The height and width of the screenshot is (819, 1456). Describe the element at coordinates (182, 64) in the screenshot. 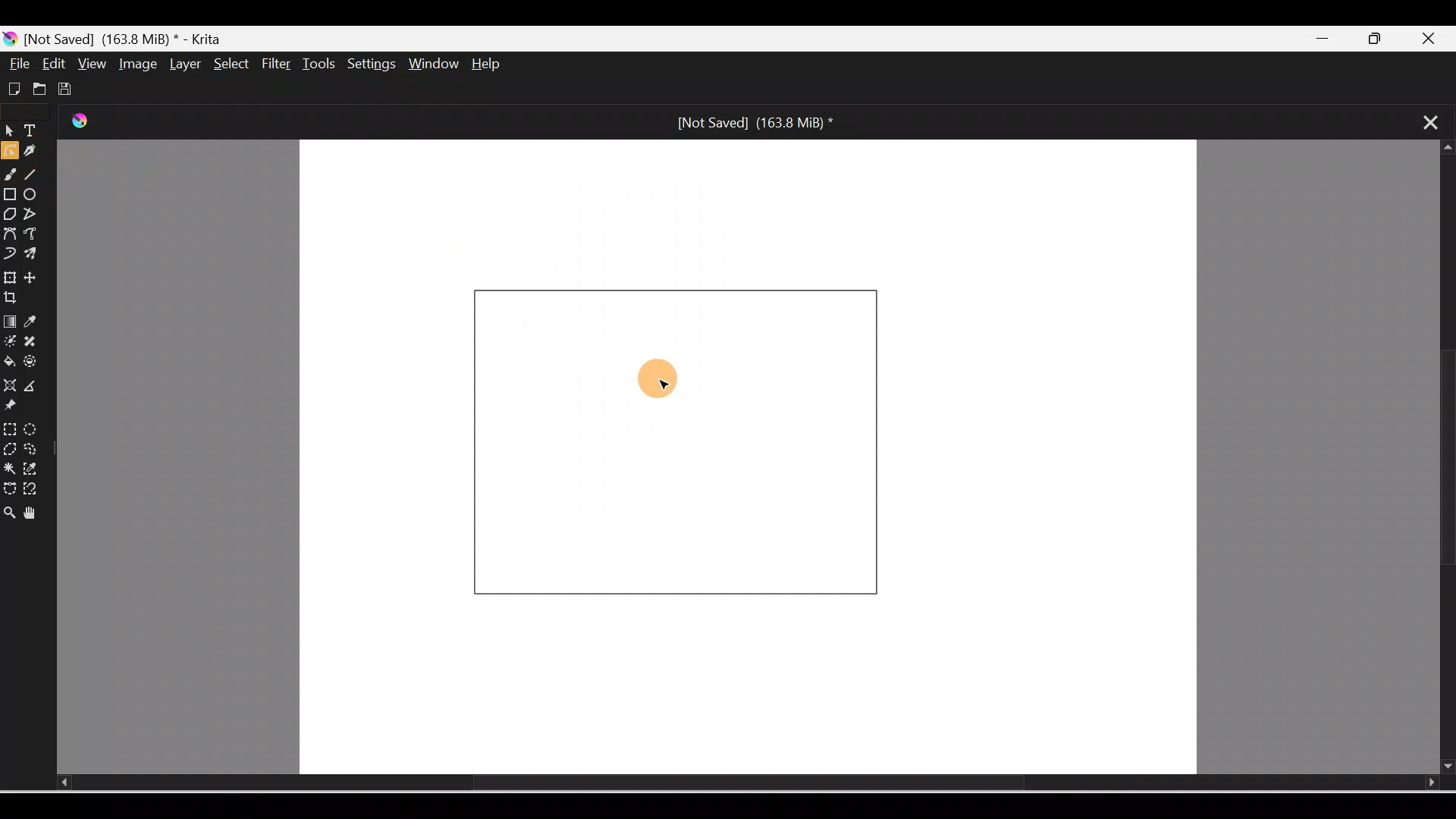

I see `Layer` at that location.